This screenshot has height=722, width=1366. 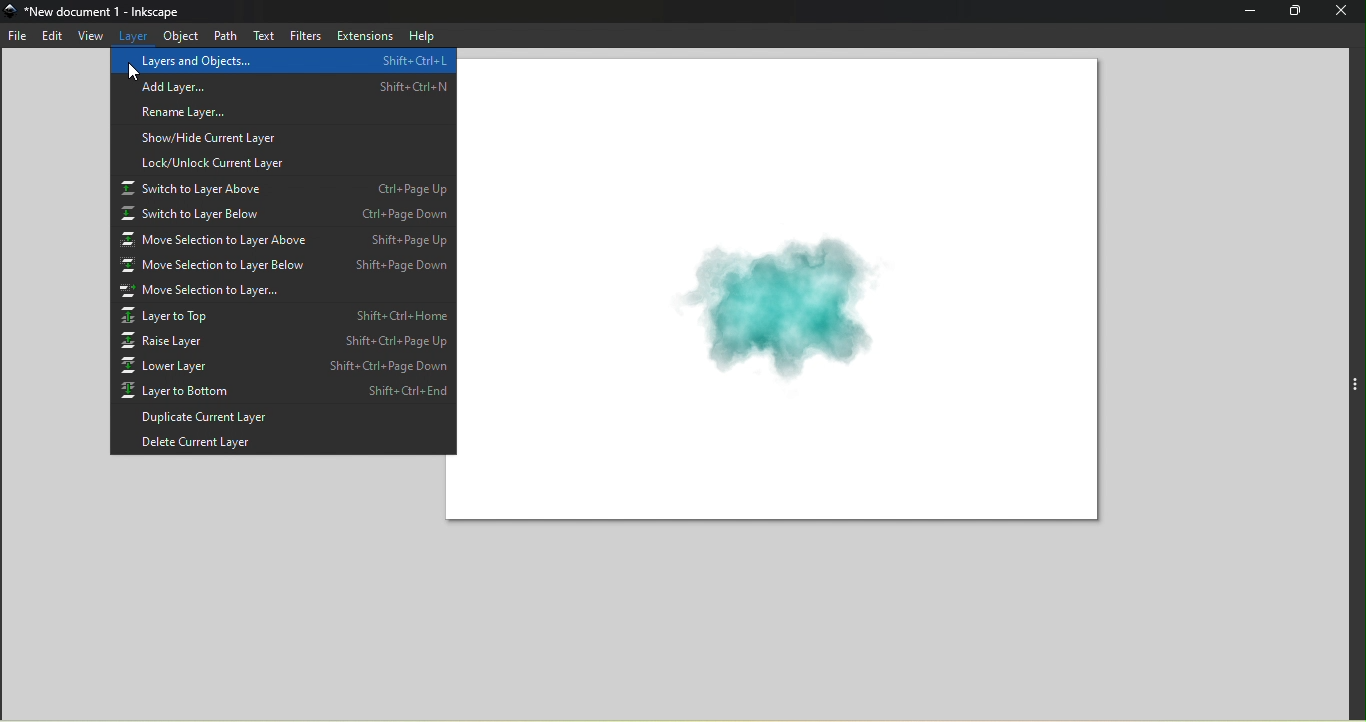 I want to click on Help, so click(x=419, y=35).